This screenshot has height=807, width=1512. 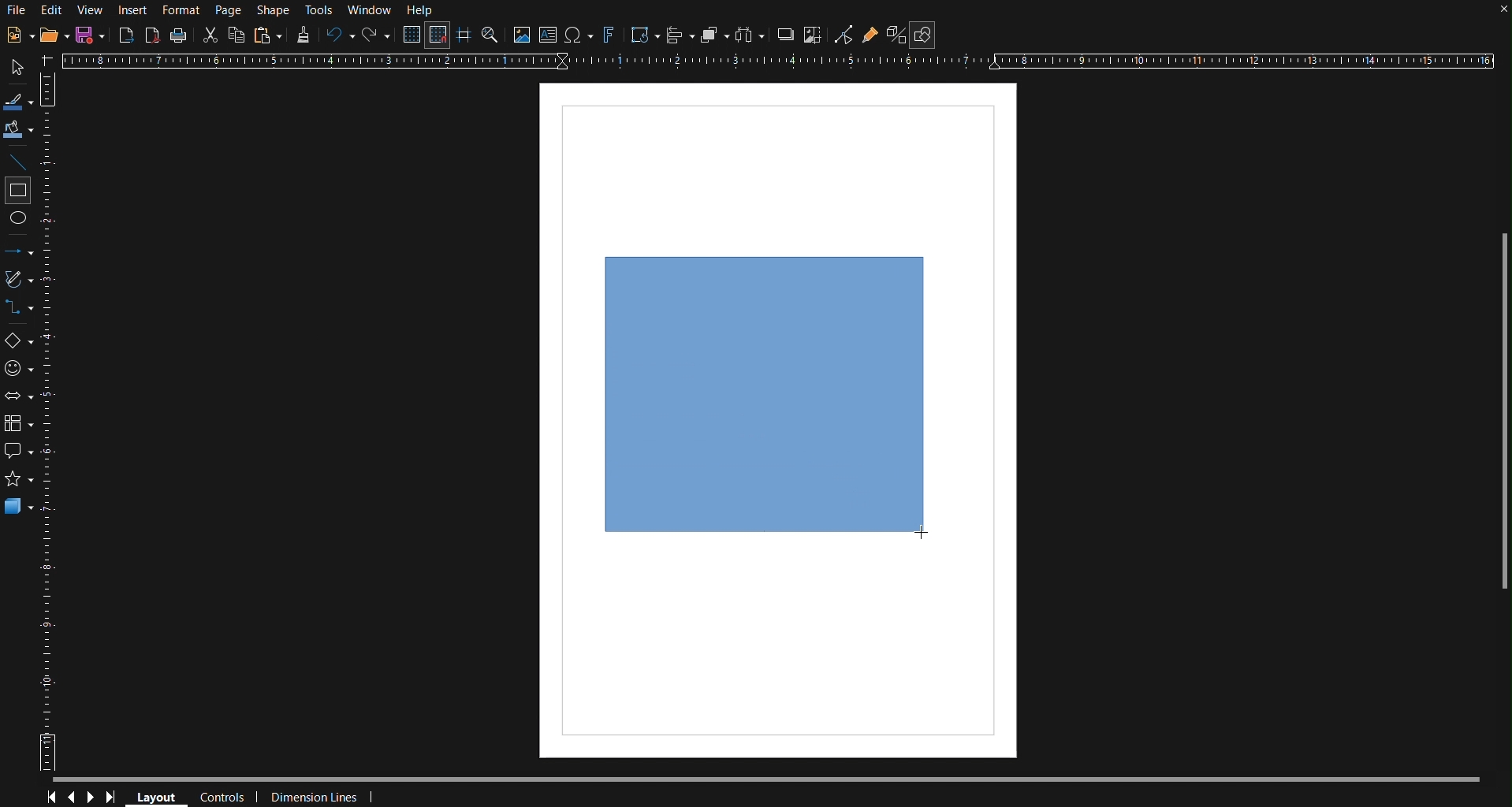 What do you see at coordinates (422, 10) in the screenshot?
I see `Help` at bounding box center [422, 10].